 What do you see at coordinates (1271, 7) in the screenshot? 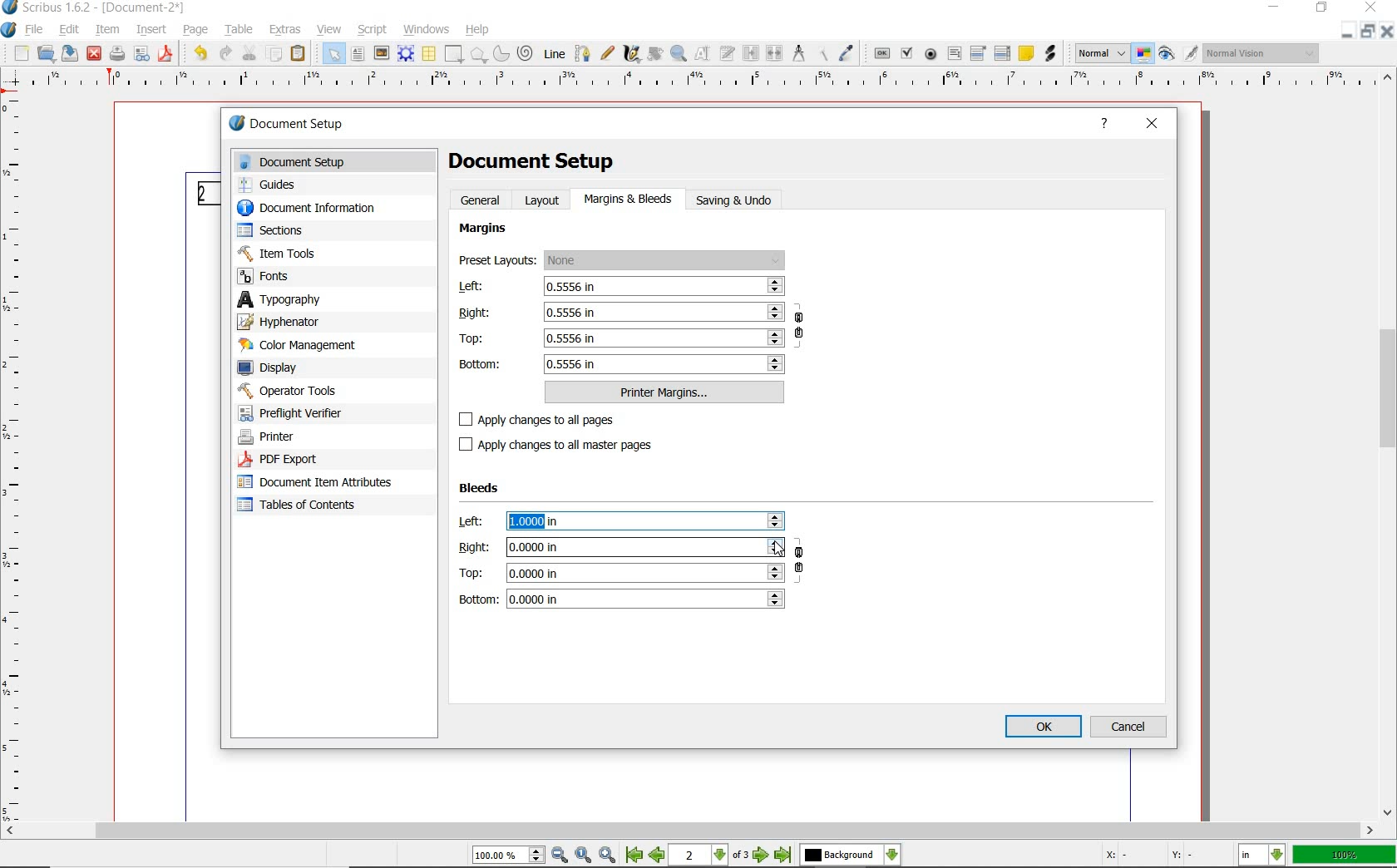
I see `minimize` at bounding box center [1271, 7].